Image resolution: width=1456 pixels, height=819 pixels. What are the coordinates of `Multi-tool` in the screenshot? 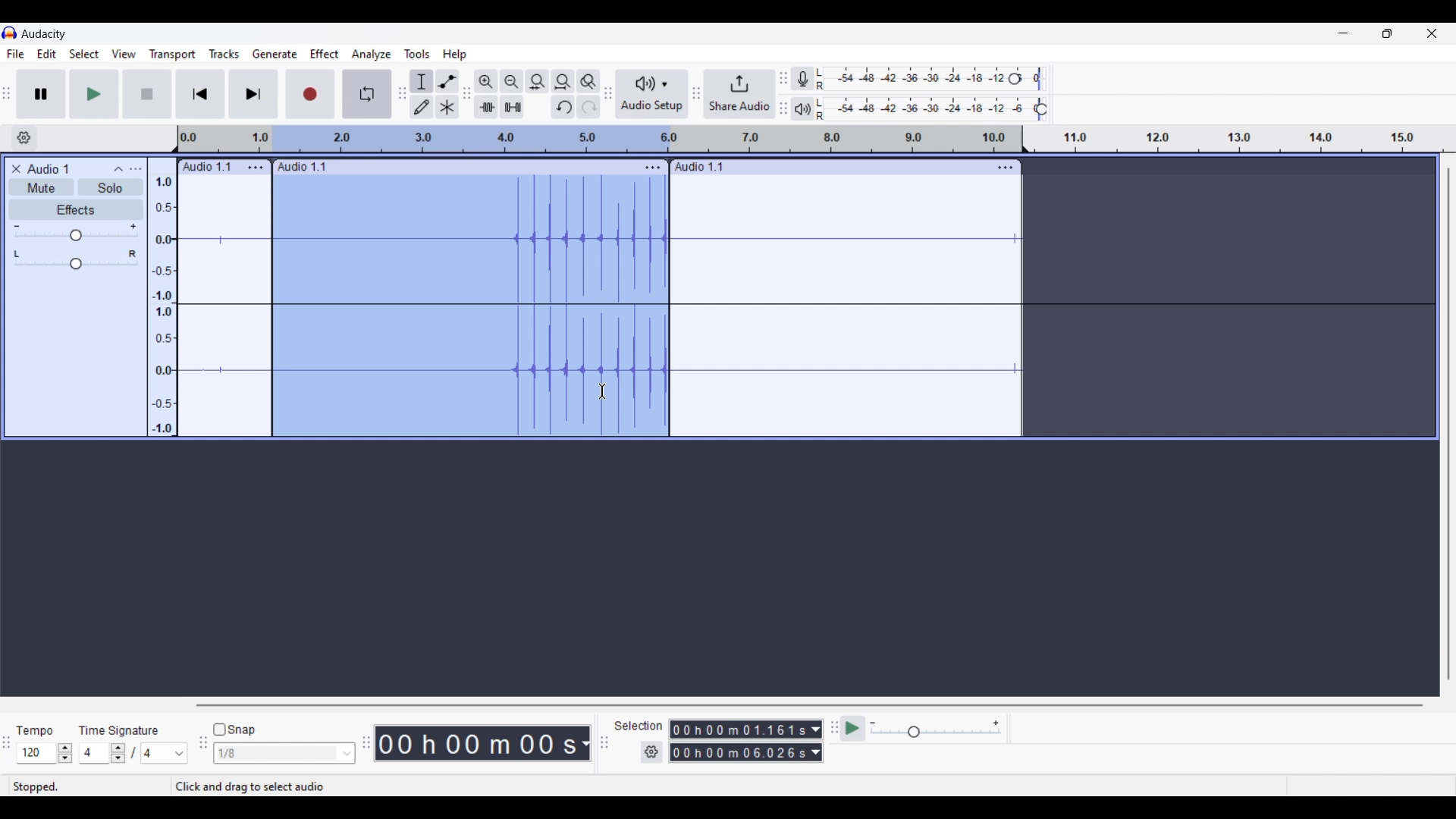 It's located at (447, 106).